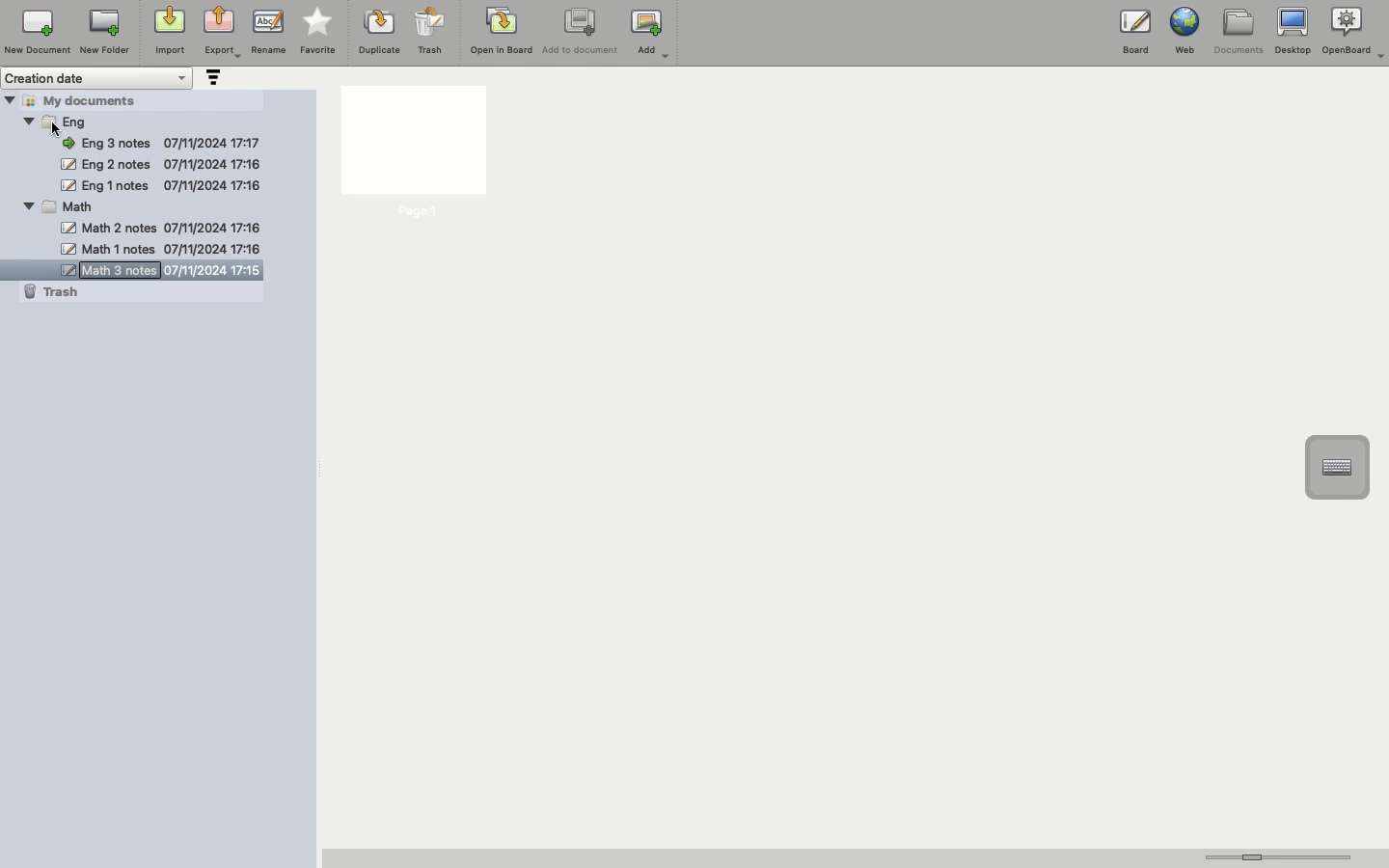  Describe the element at coordinates (159, 229) in the screenshot. I see `math 2 notes` at that location.